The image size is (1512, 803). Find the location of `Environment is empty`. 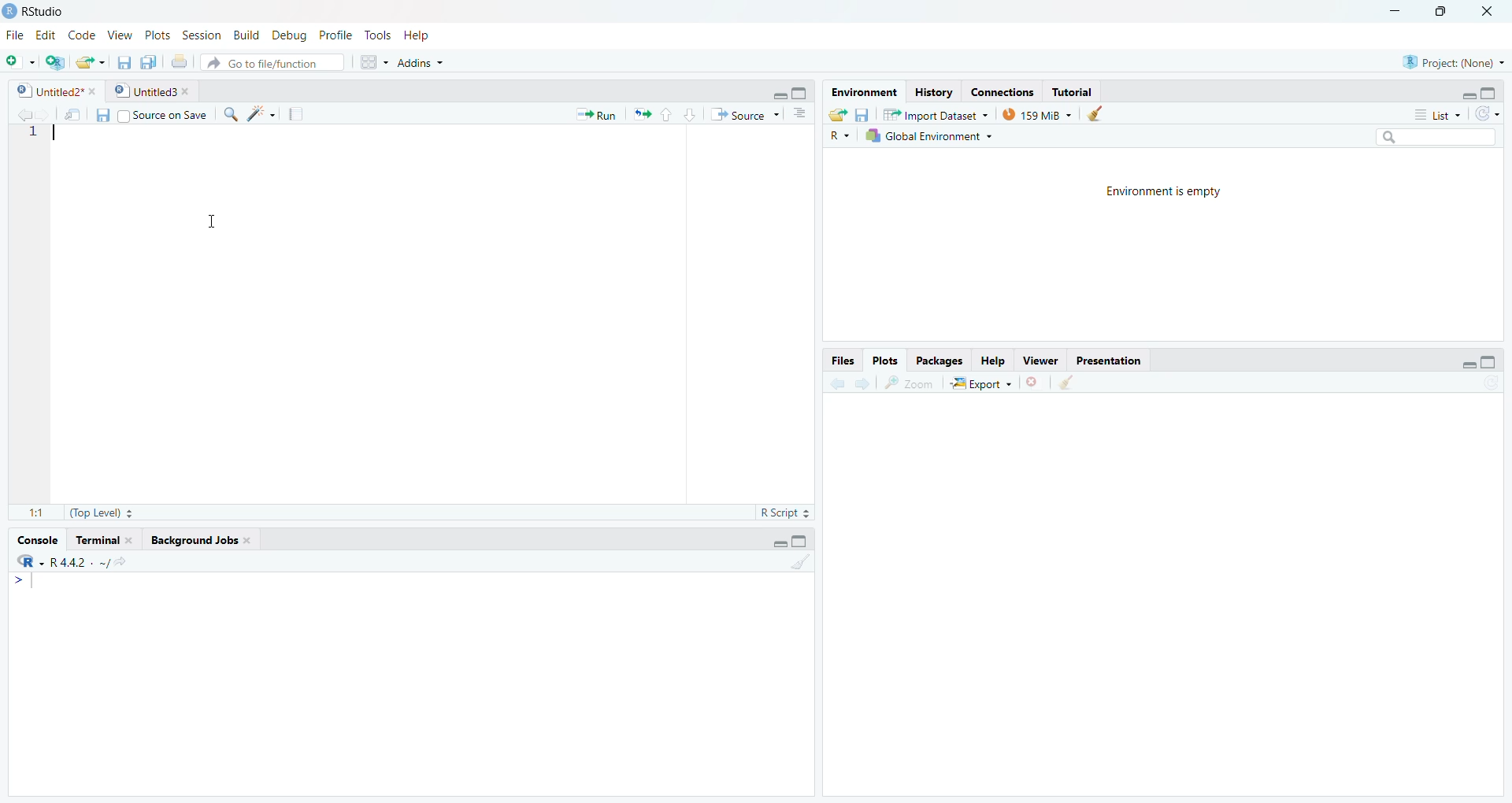

Environment is empty is located at coordinates (1169, 192).